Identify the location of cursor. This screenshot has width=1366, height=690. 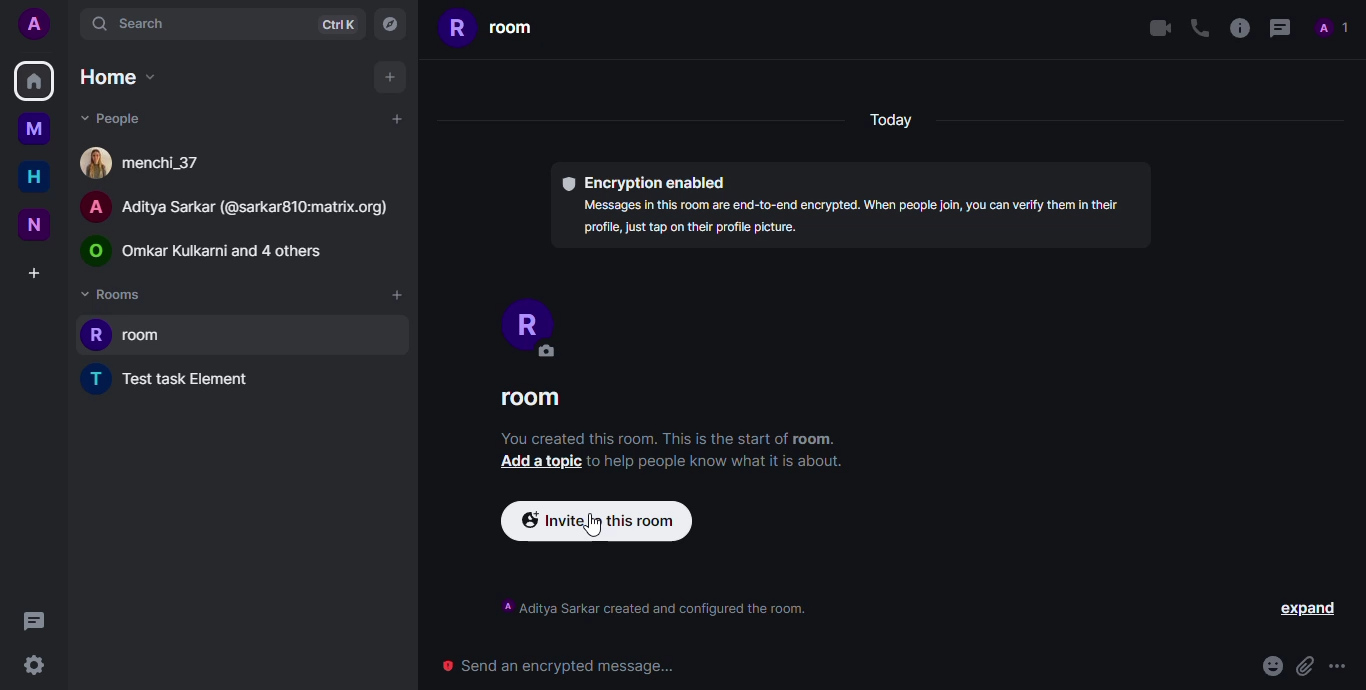
(595, 521).